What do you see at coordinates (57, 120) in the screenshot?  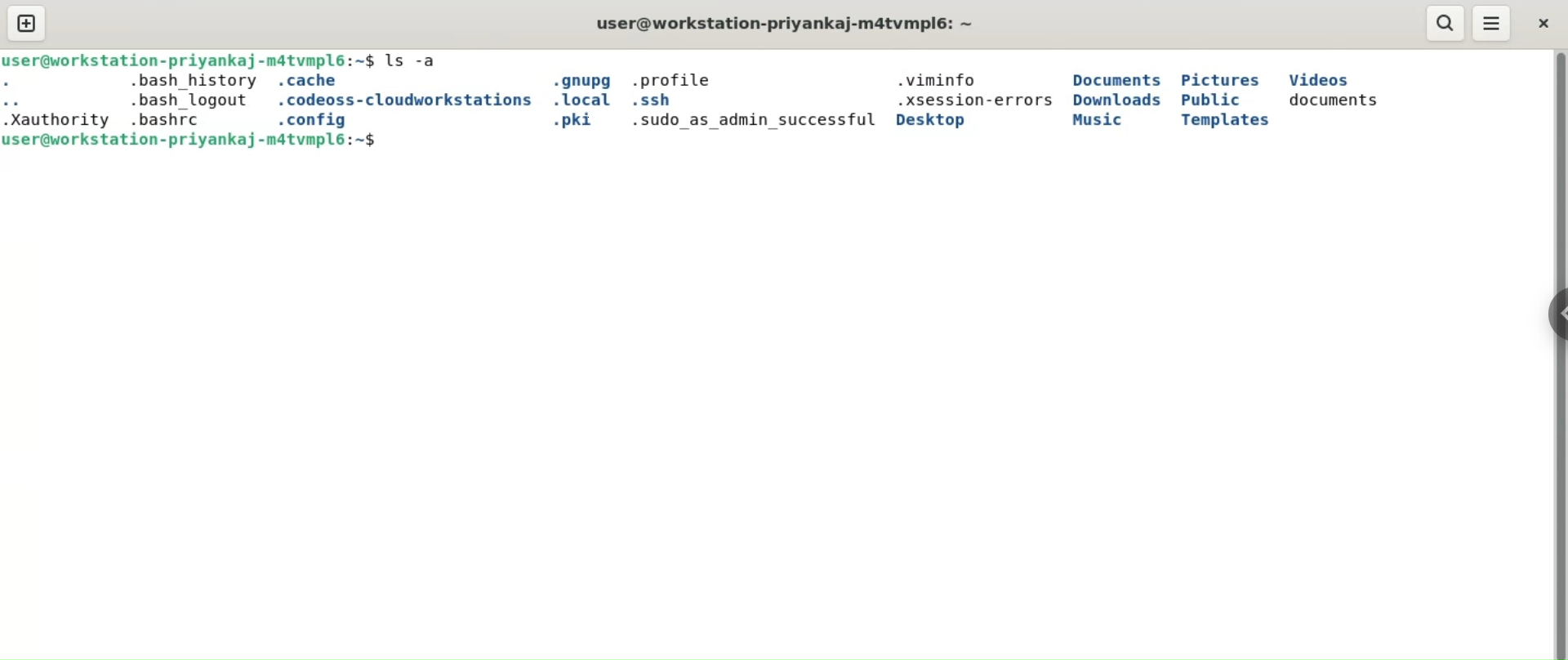 I see `.Xauthority` at bounding box center [57, 120].